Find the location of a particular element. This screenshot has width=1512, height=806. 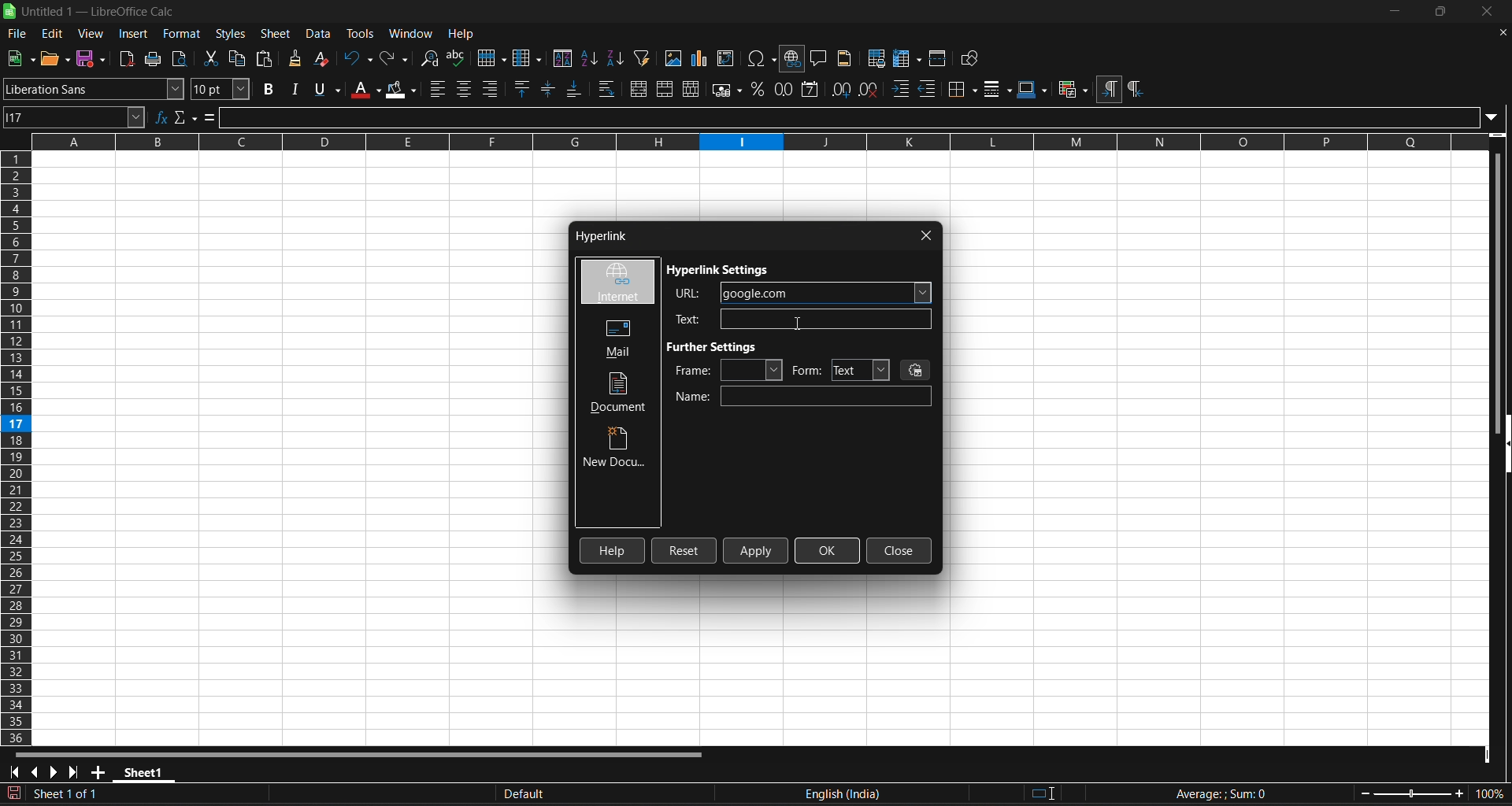

maximize is located at coordinates (1439, 12).